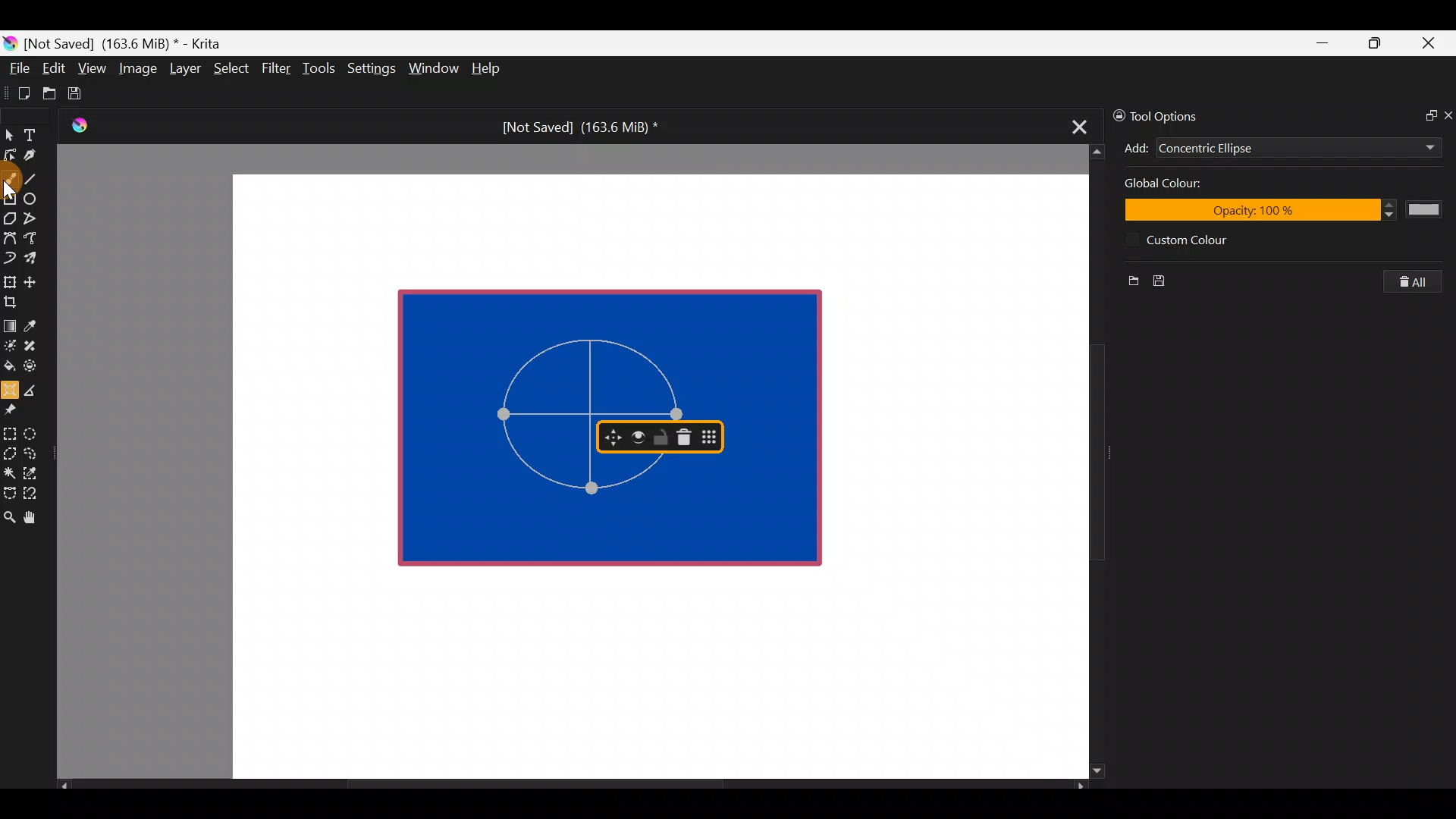 The image size is (1456, 819). Describe the element at coordinates (634, 434) in the screenshot. I see `Bold` at that location.